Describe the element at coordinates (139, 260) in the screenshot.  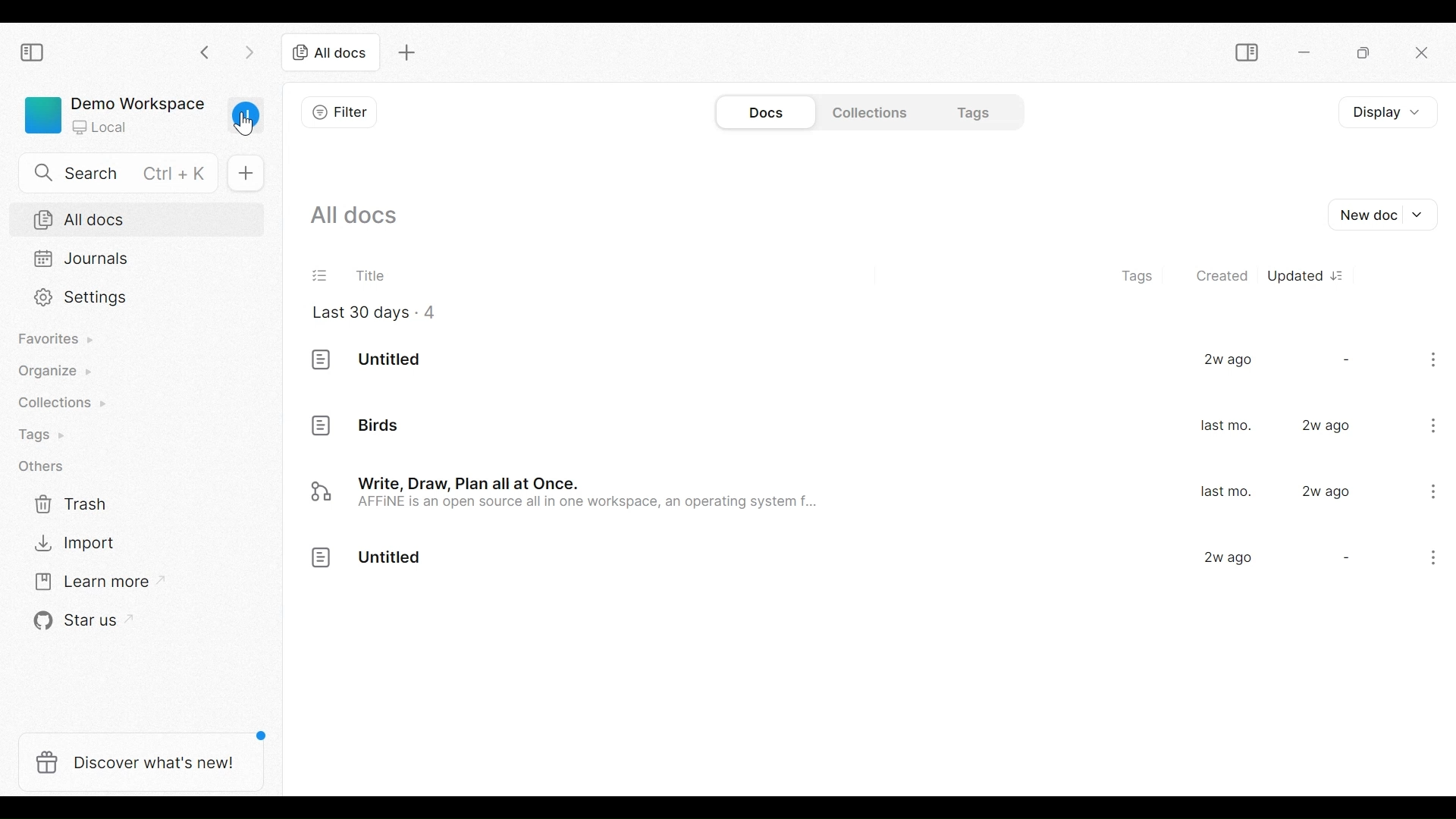
I see `Journal` at that location.